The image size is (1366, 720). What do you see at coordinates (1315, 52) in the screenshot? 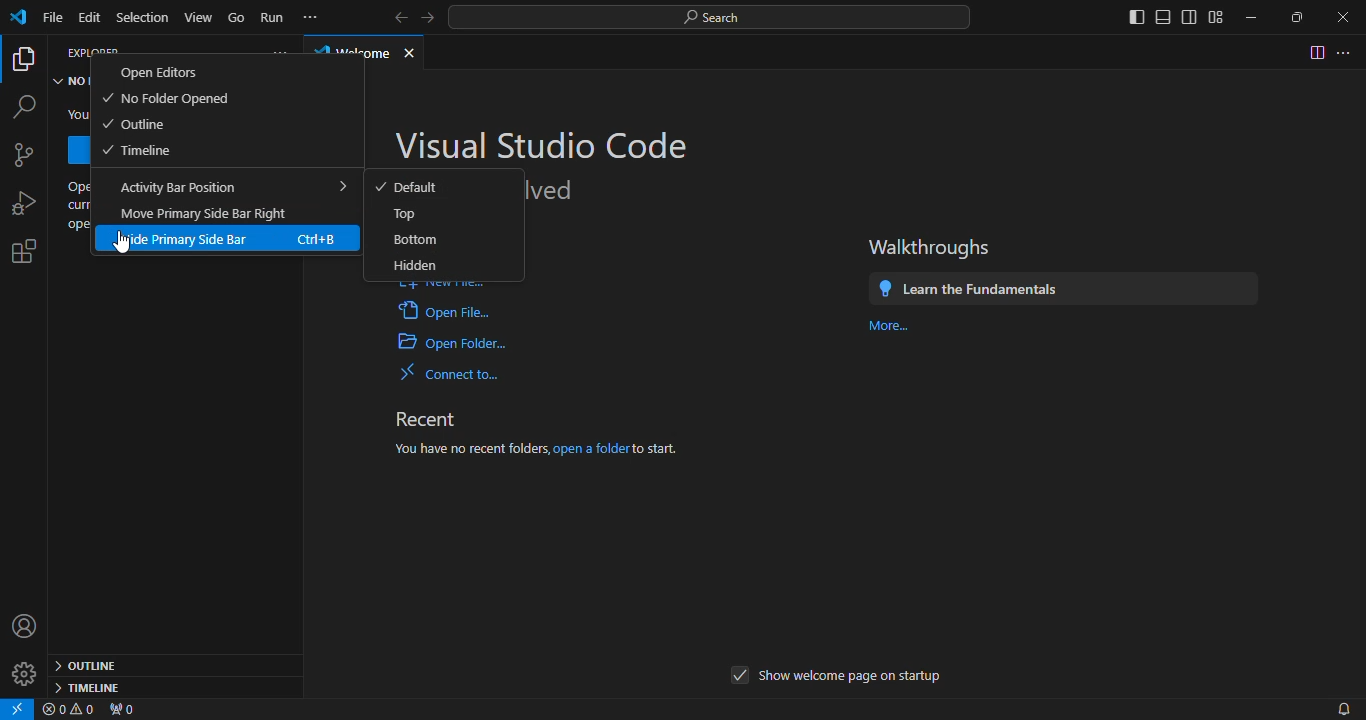
I see `switch toggle page` at bounding box center [1315, 52].